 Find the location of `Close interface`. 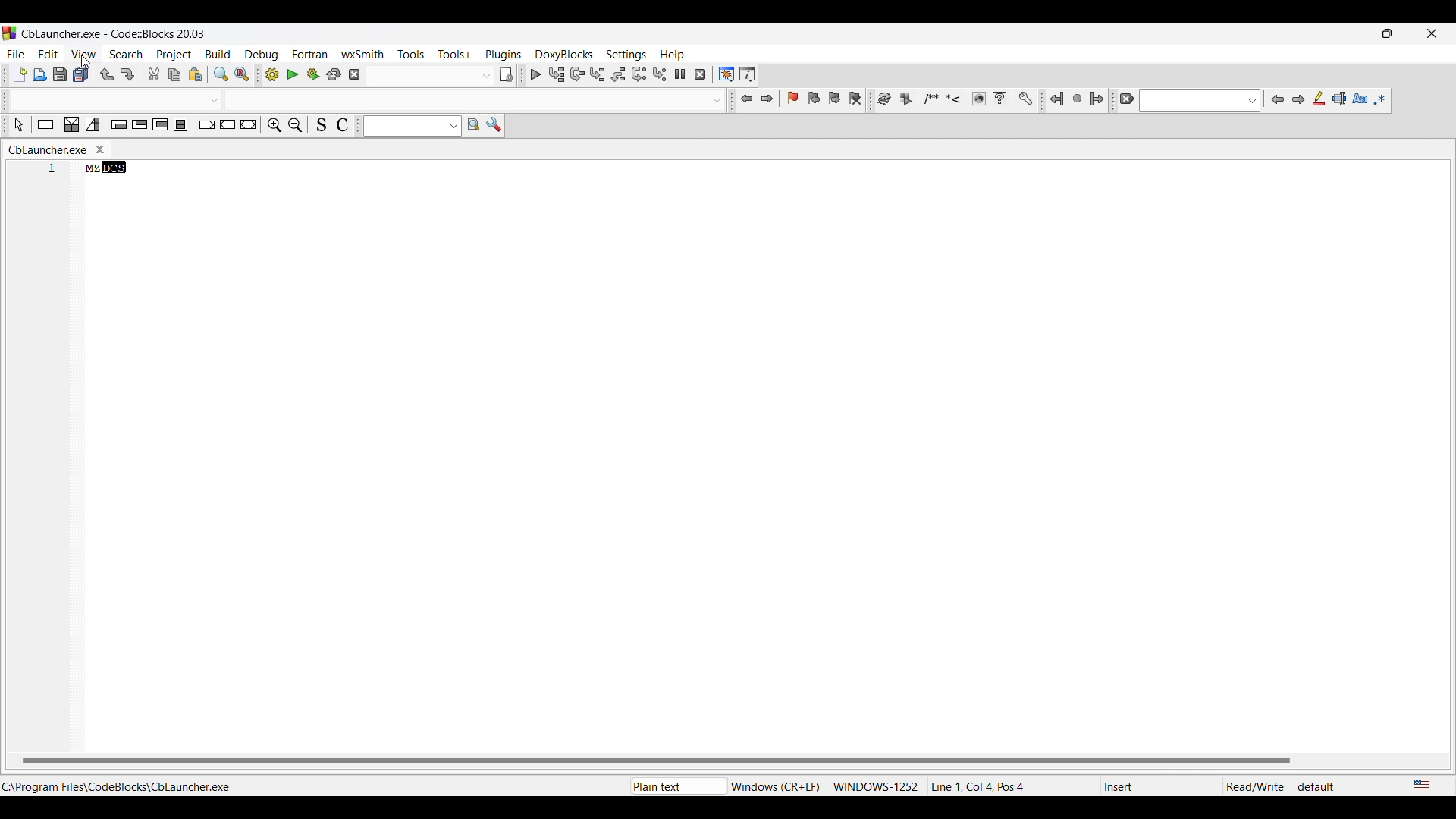

Close interface is located at coordinates (1432, 33).